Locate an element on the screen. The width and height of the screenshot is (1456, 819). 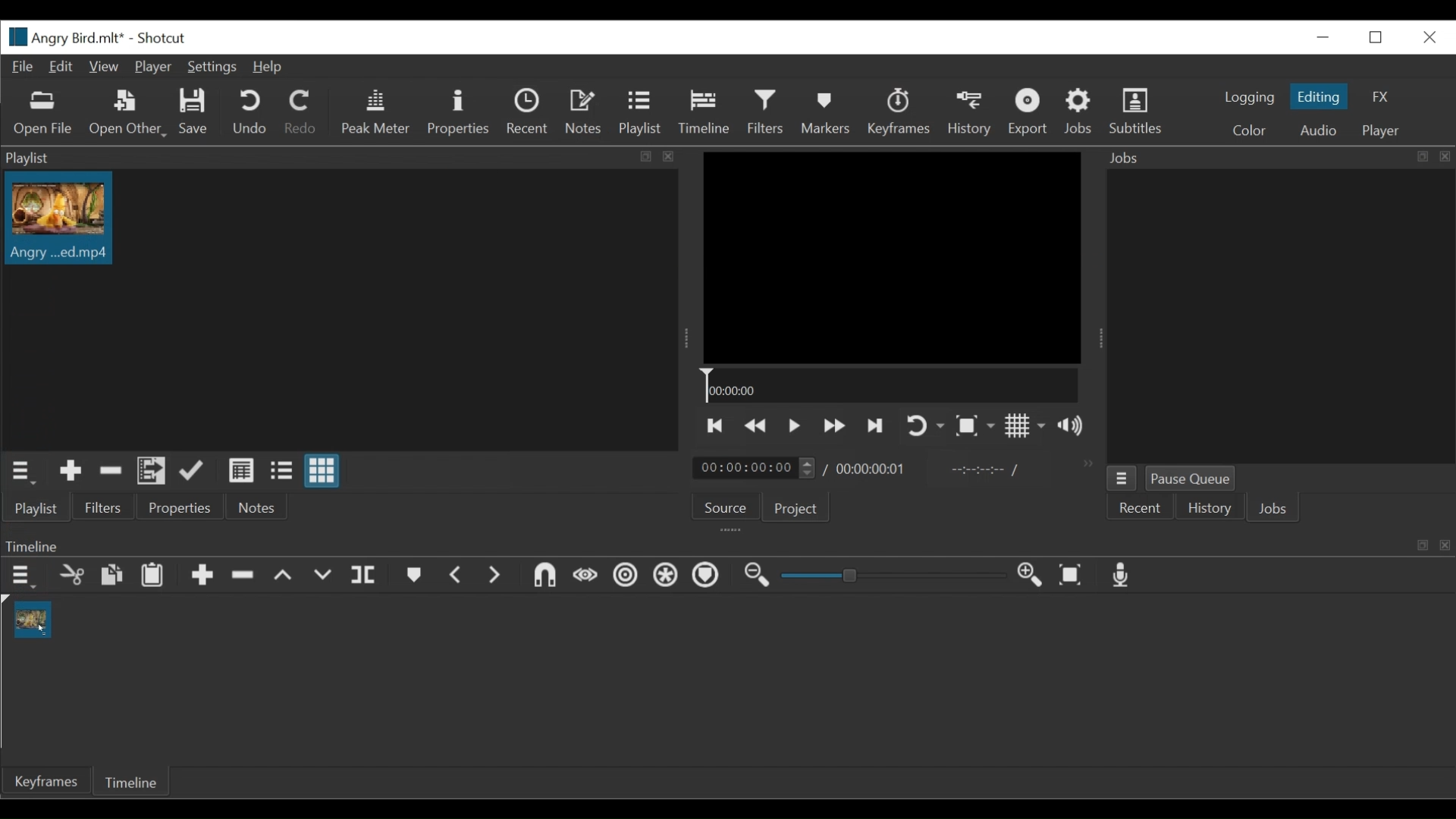
History is located at coordinates (1210, 510).